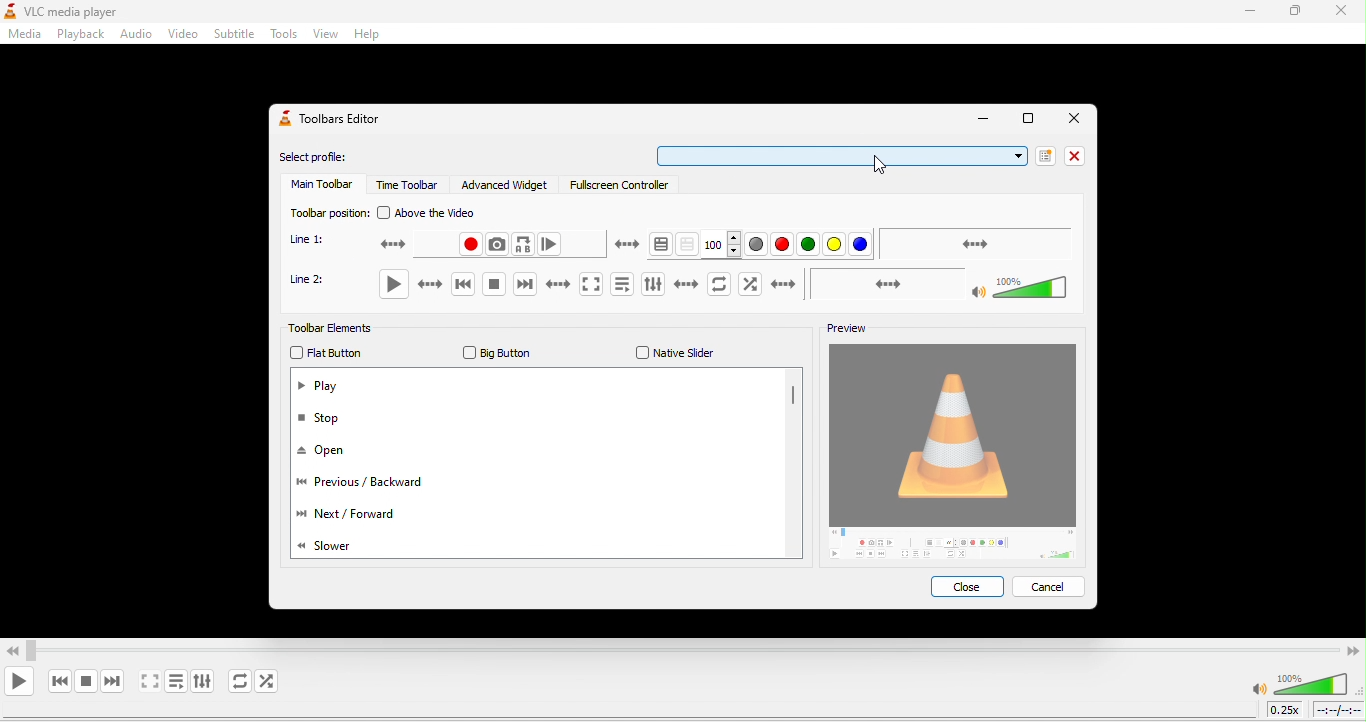  I want to click on maximize, so click(1296, 13).